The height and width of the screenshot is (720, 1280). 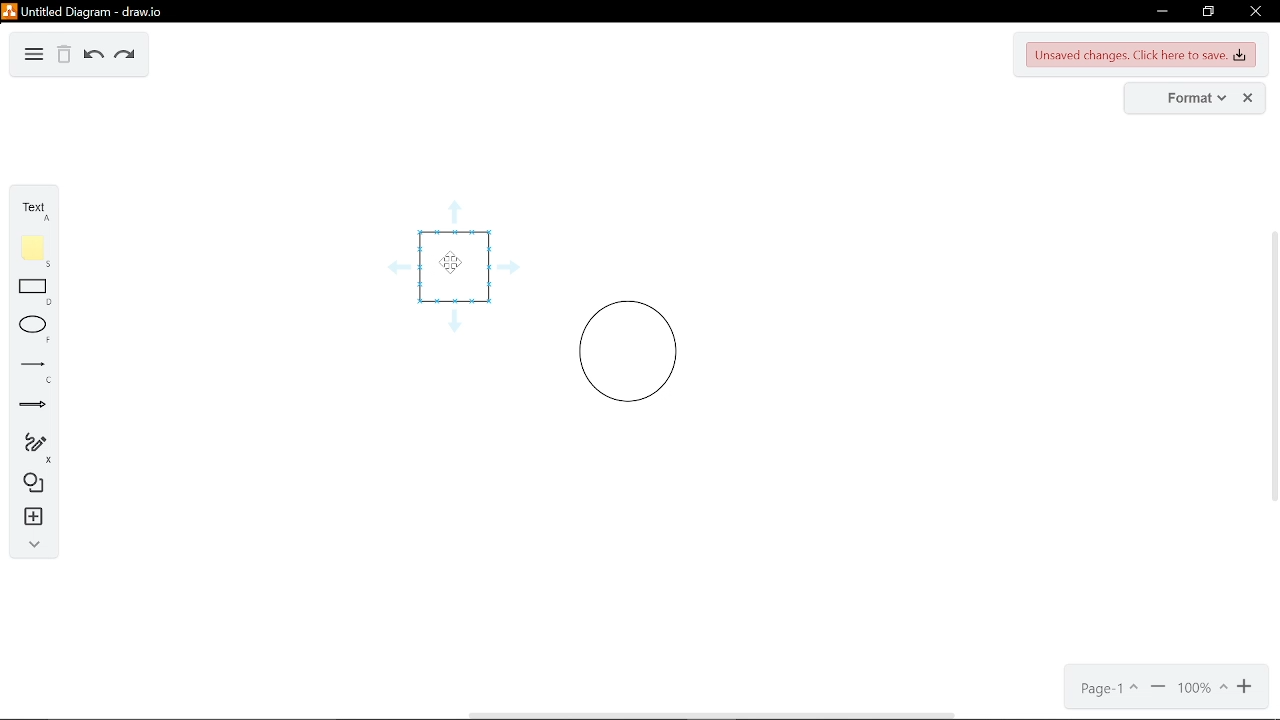 I want to click on guide arrow, so click(x=455, y=321).